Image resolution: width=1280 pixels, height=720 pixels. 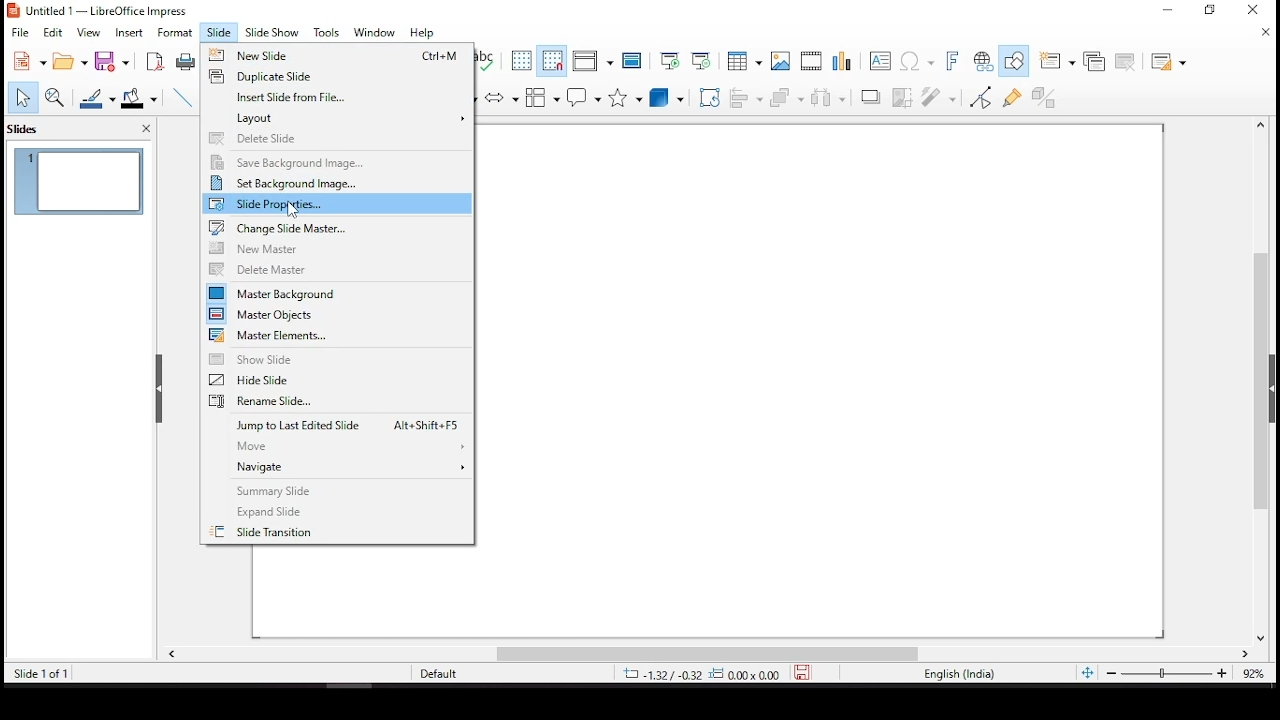 What do you see at coordinates (20, 32) in the screenshot?
I see `file` at bounding box center [20, 32].